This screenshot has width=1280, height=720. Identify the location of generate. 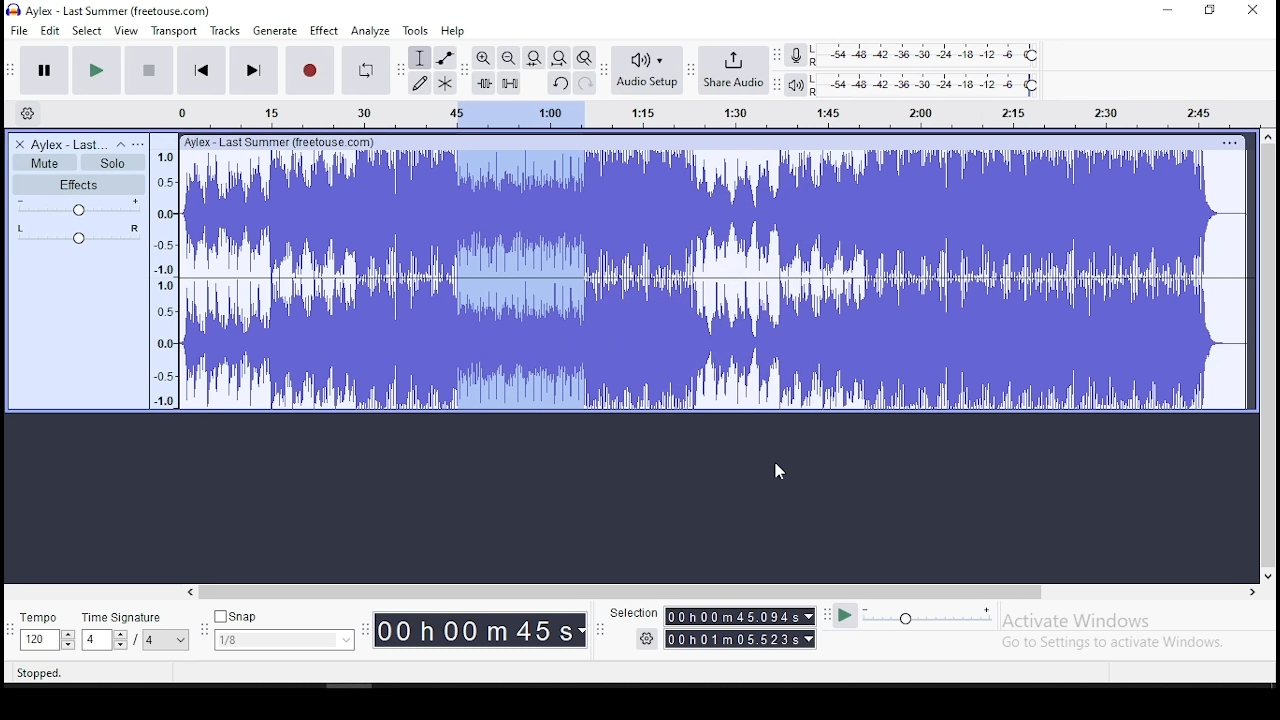
(276, 31).